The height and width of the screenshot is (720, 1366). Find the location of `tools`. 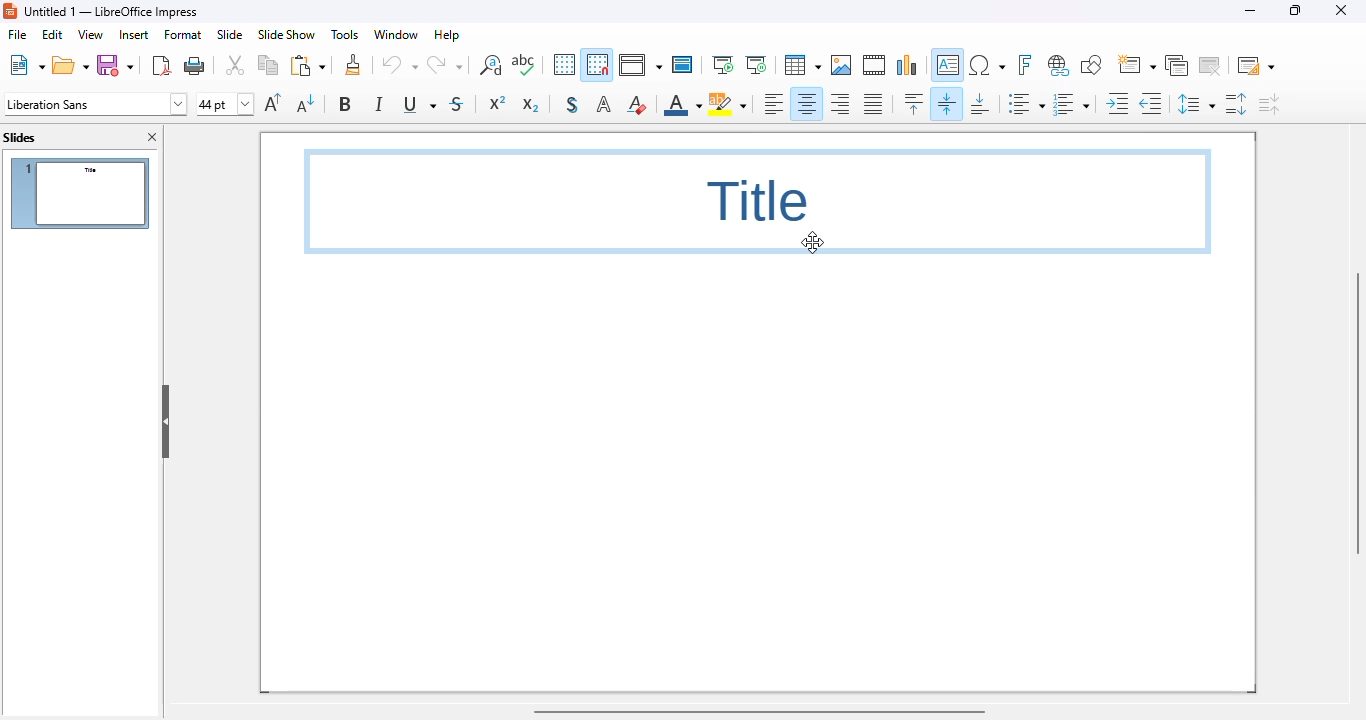

tools is located at coordinates (345, 35).